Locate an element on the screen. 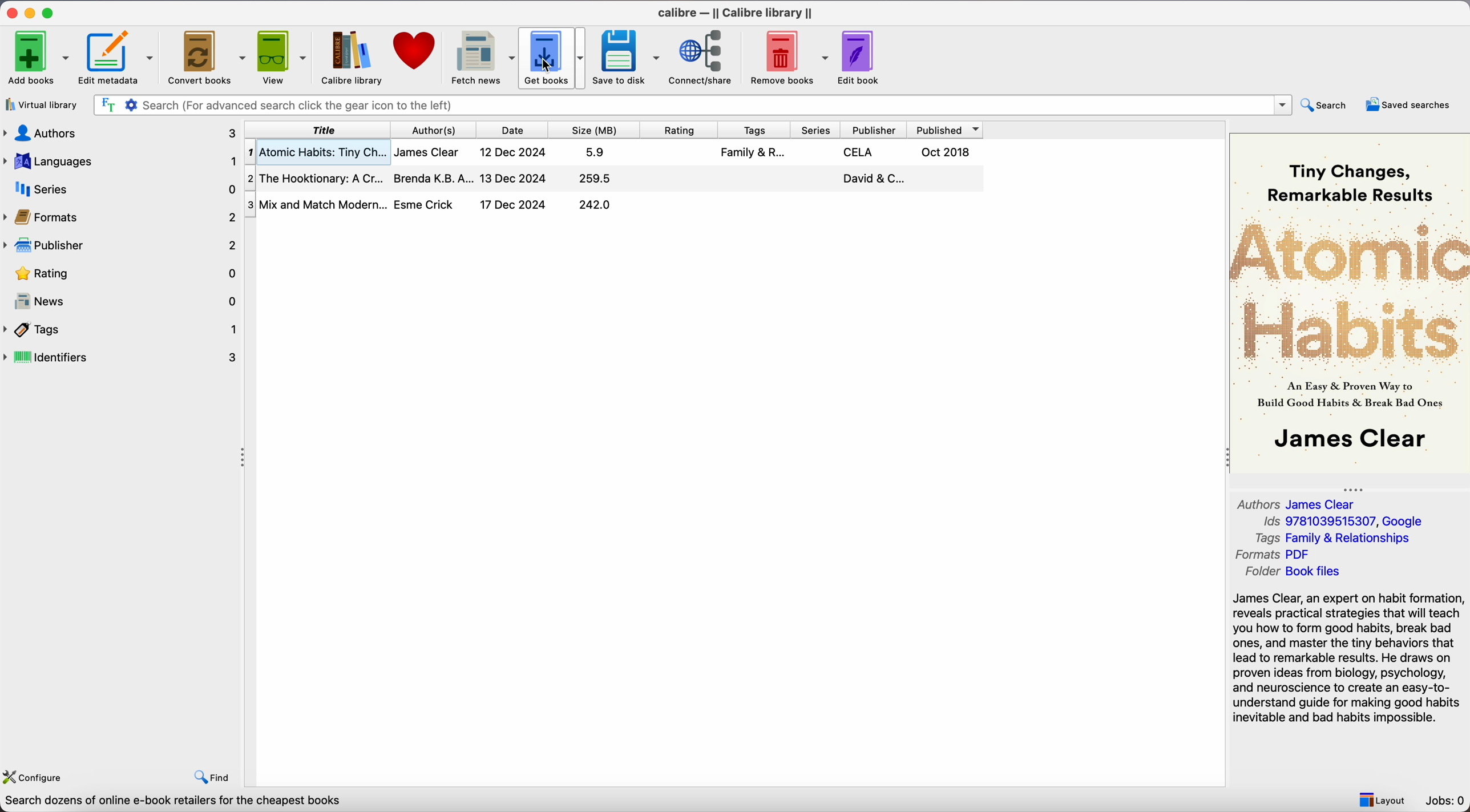 This screenshot has height=812, width=1470. remove books is located at coordinates (789, 57).